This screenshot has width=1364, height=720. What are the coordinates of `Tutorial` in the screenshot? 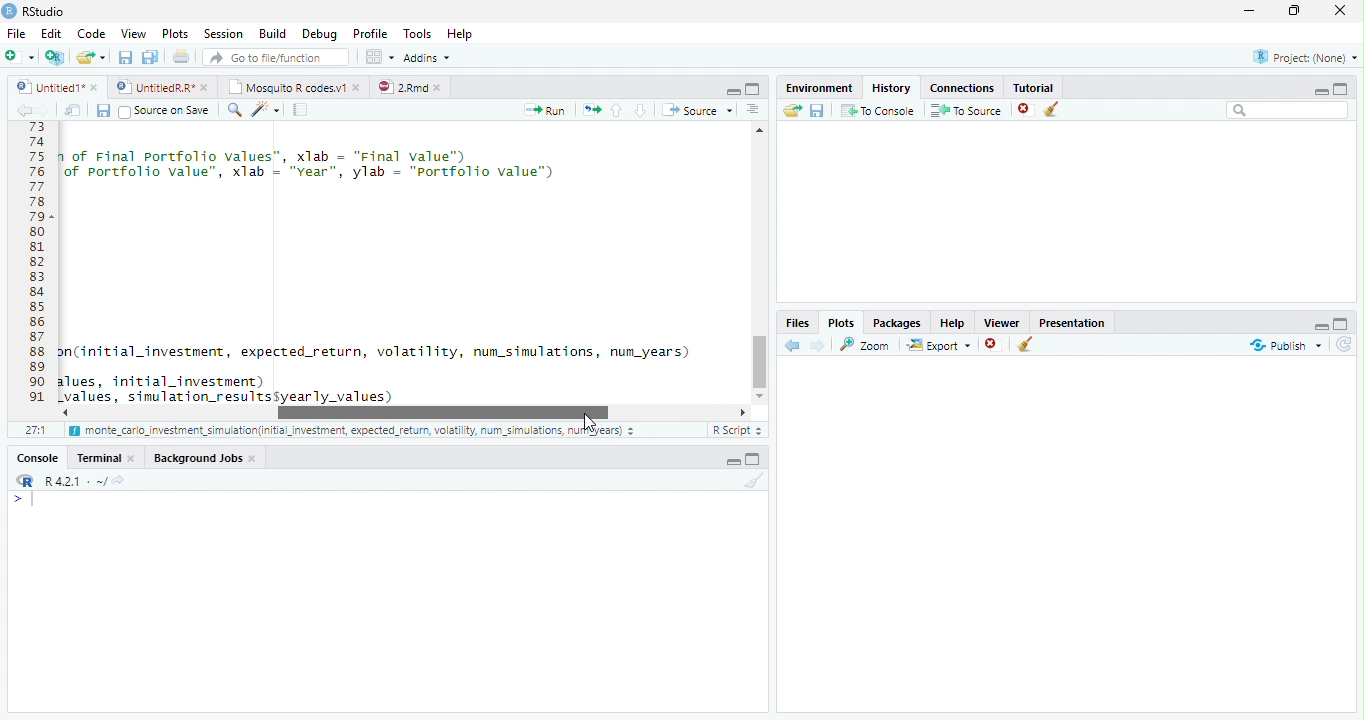 It's located at (1030, 85).